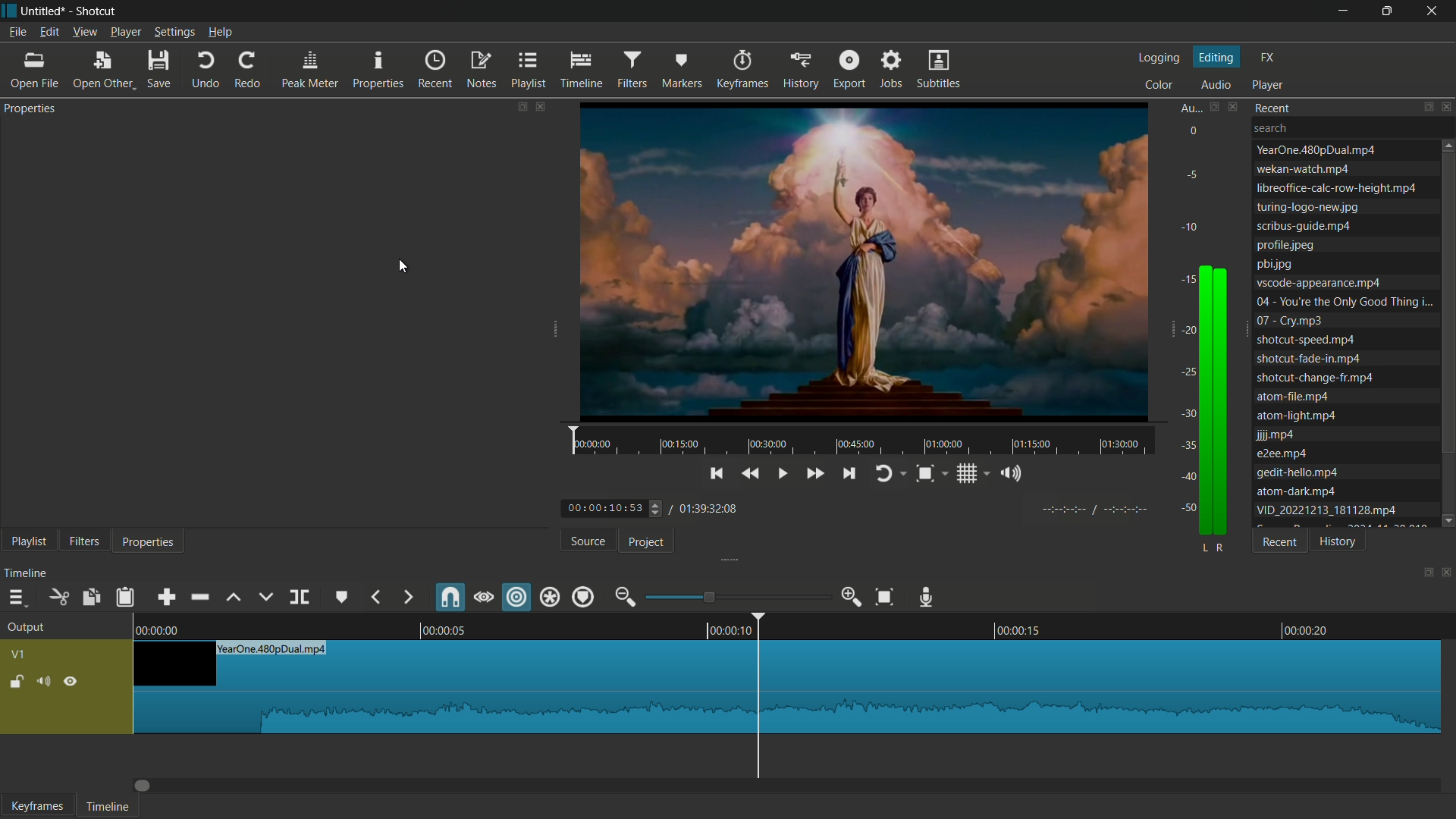 The image size is (1456, 819). I want to click on fx, so click(1266, 58).